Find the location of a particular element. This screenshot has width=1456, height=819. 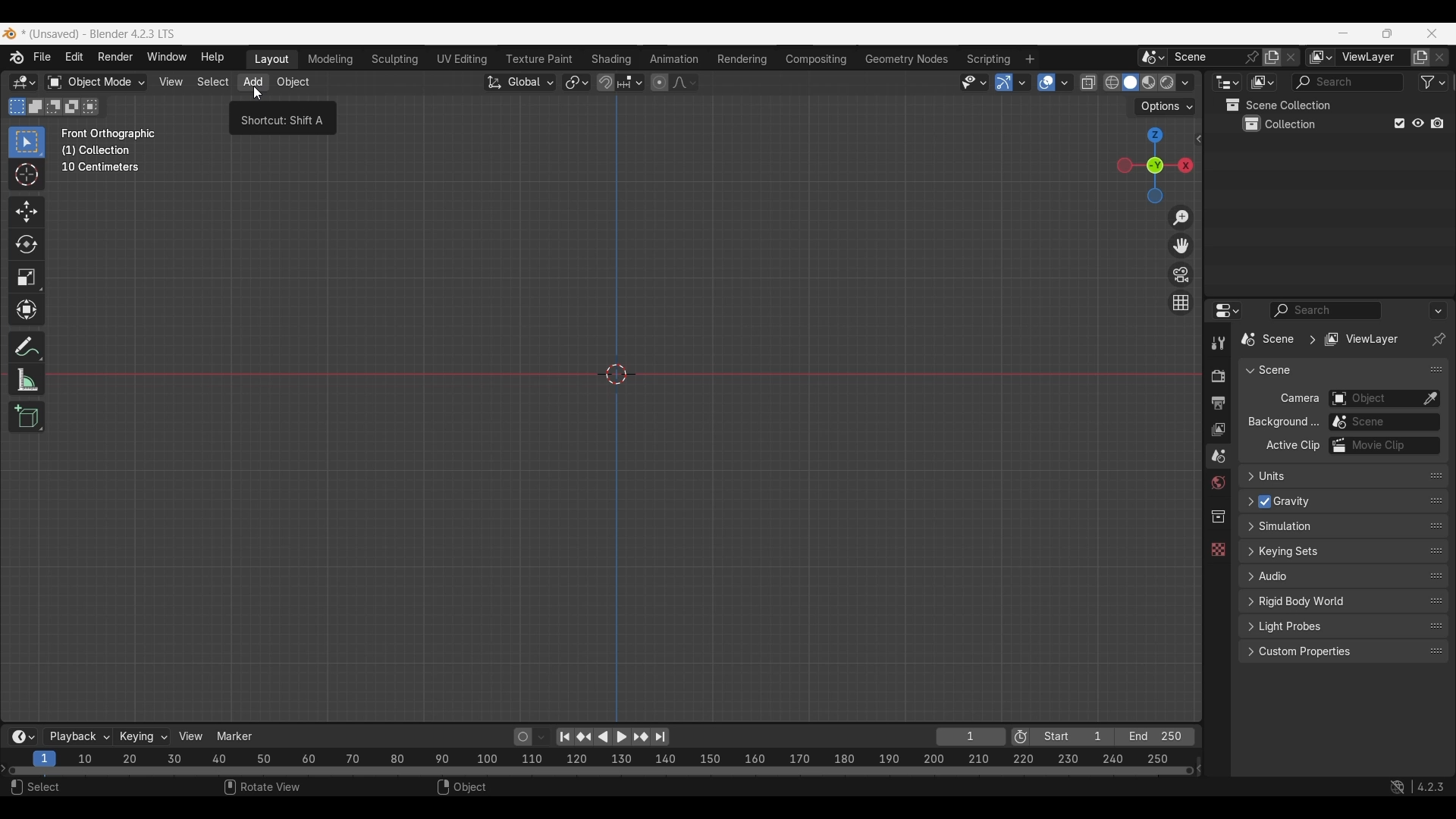

Transformation orientation, global is located at coordinates (520, 83).